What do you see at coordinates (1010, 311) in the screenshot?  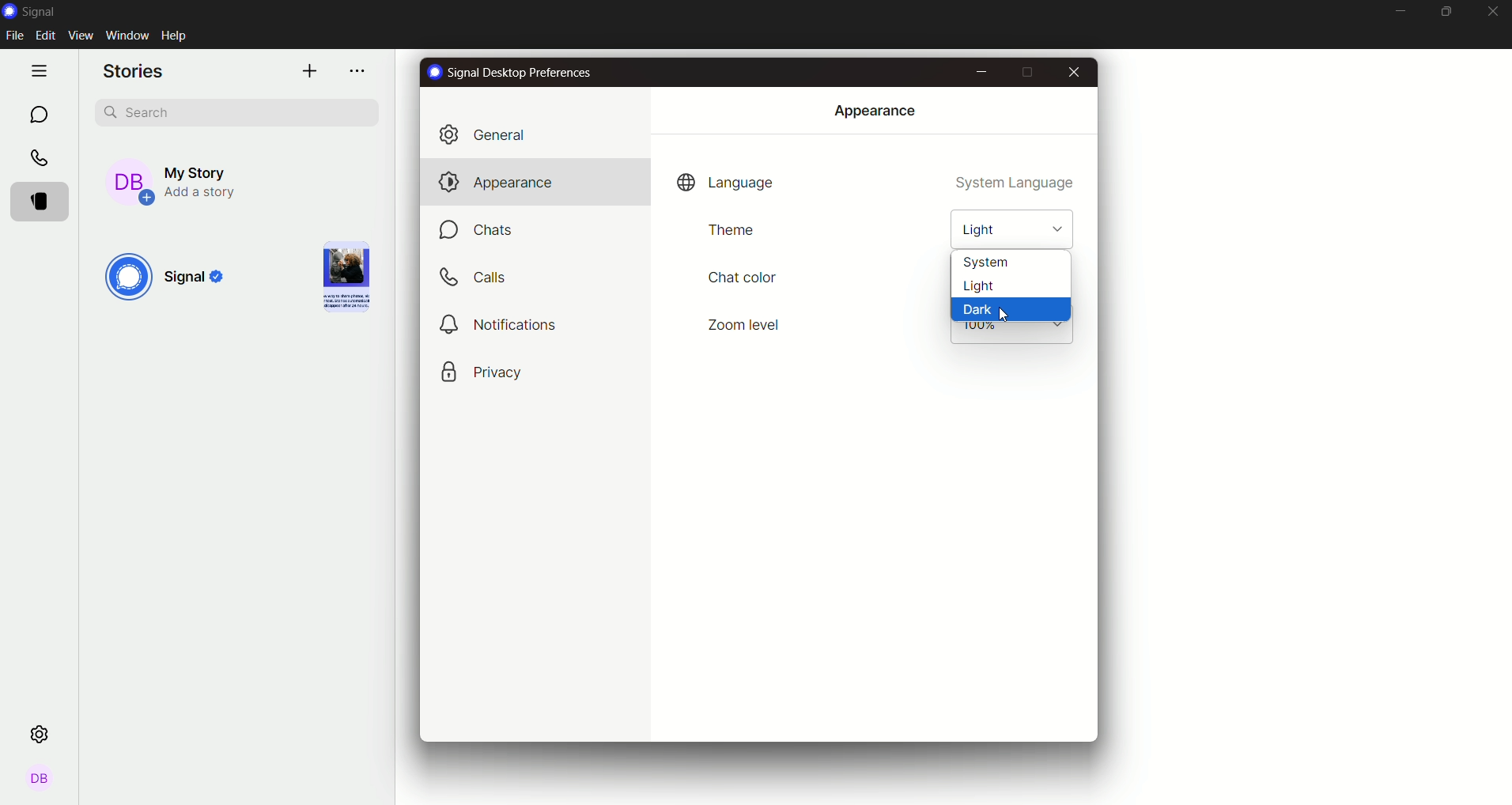 I see `dark` at bounding box center [1010, 311].